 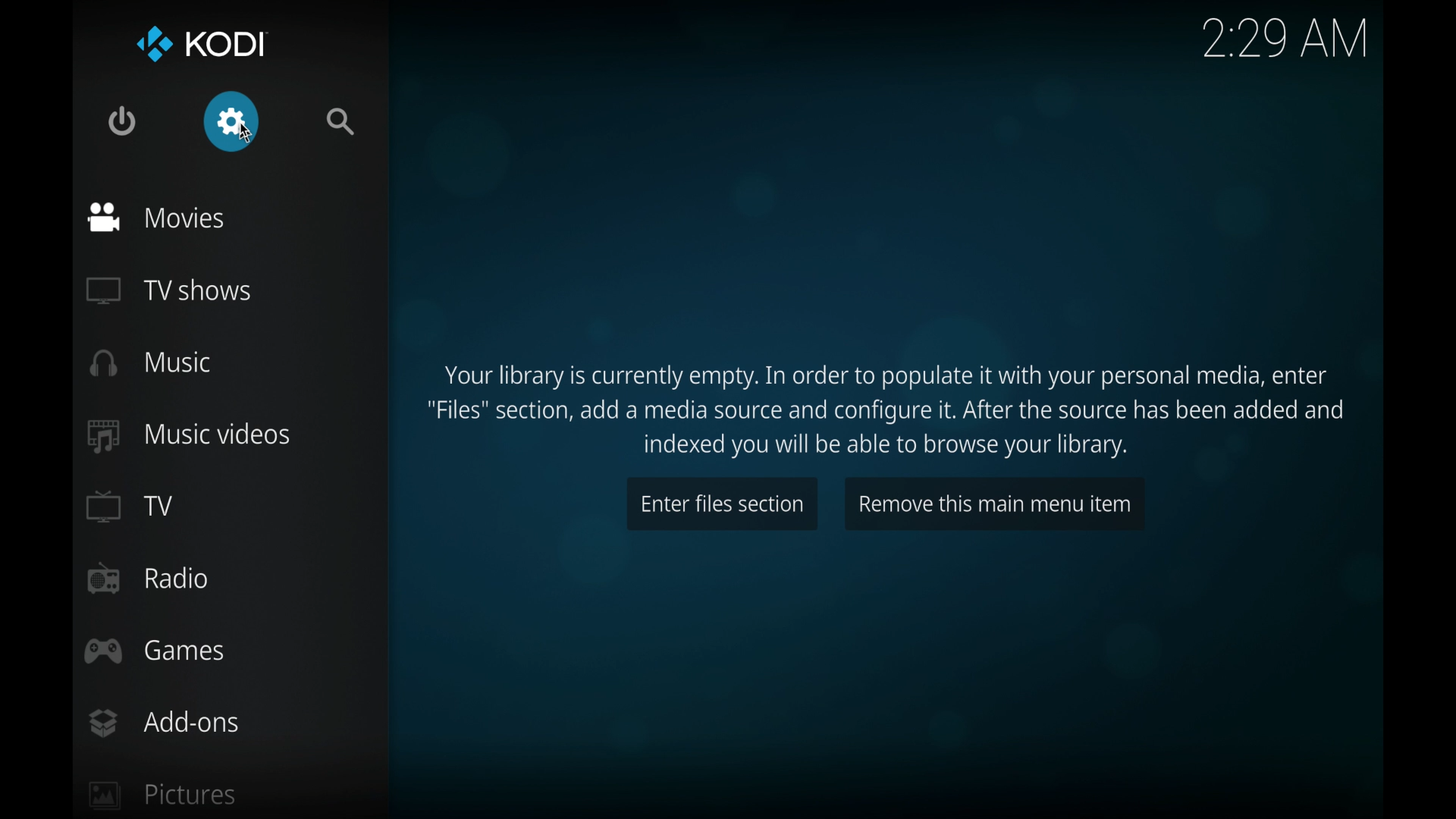 What do you see at coordinates (156, 217) in the screenshot?
I see `movies` at bounding box center [156, 217].